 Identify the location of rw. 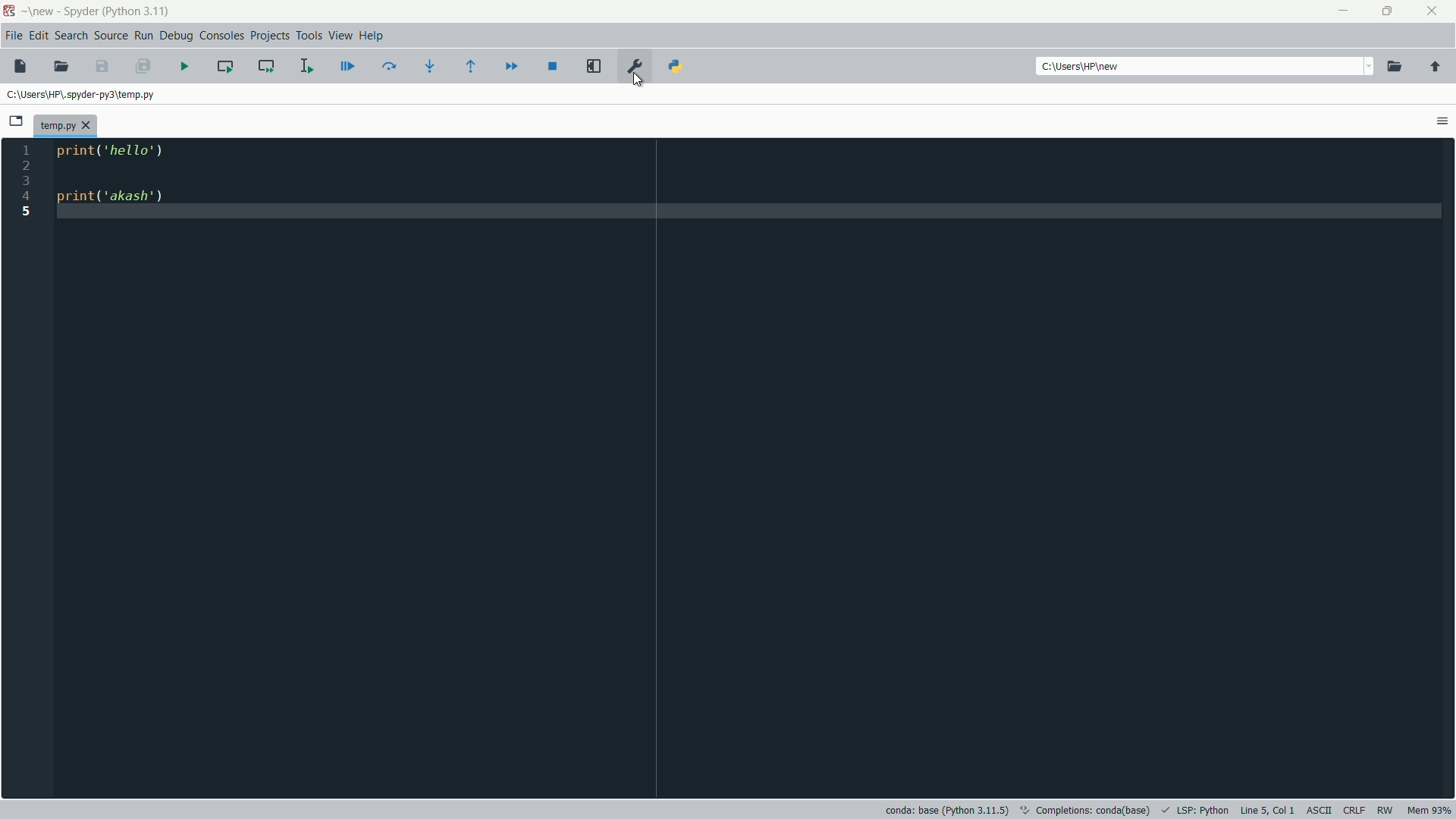
(1387, 810).